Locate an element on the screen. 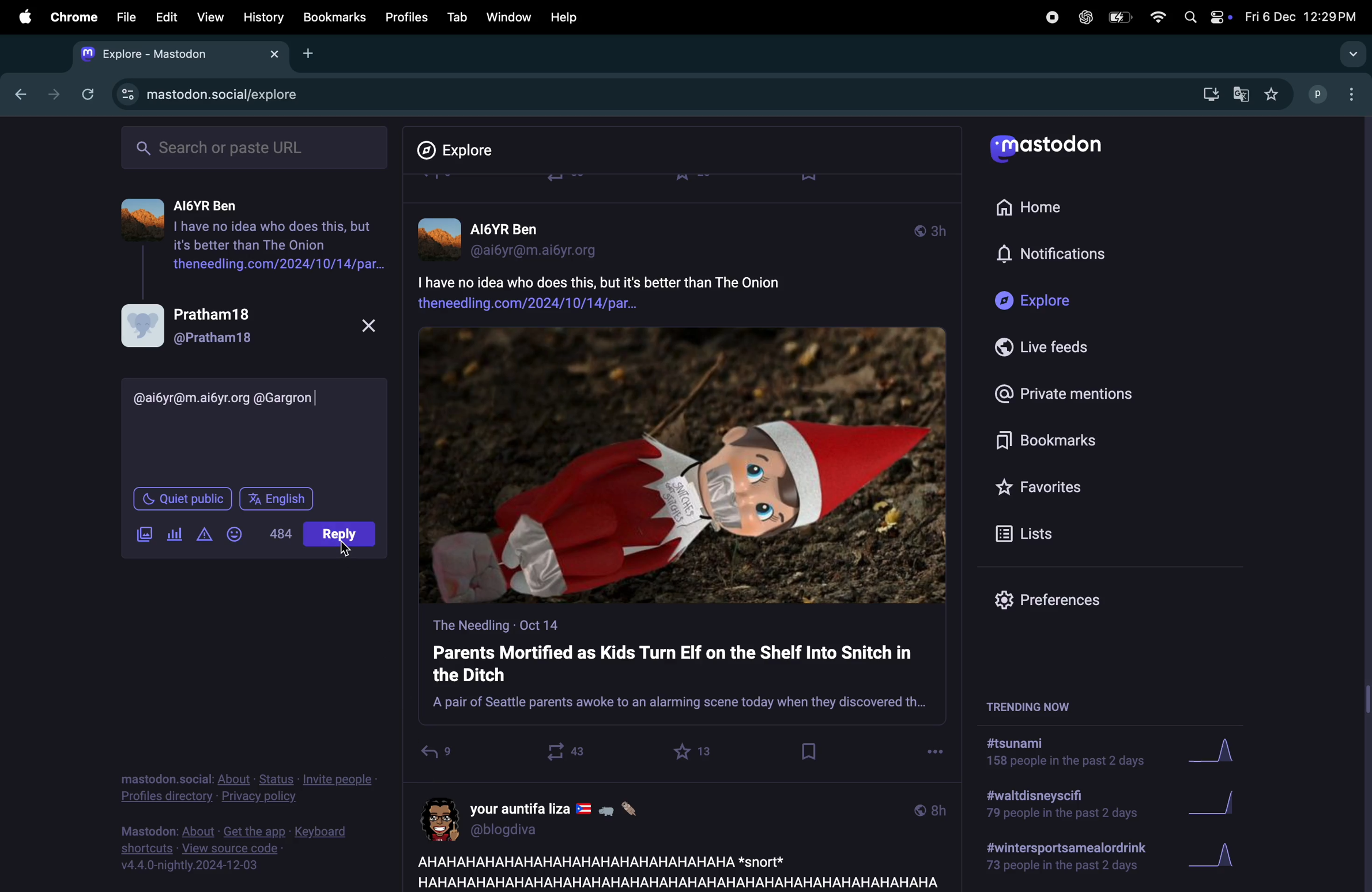 The width and height of the screenshot is (1372, 892). download masto don is located at coordinates (1207, 94).